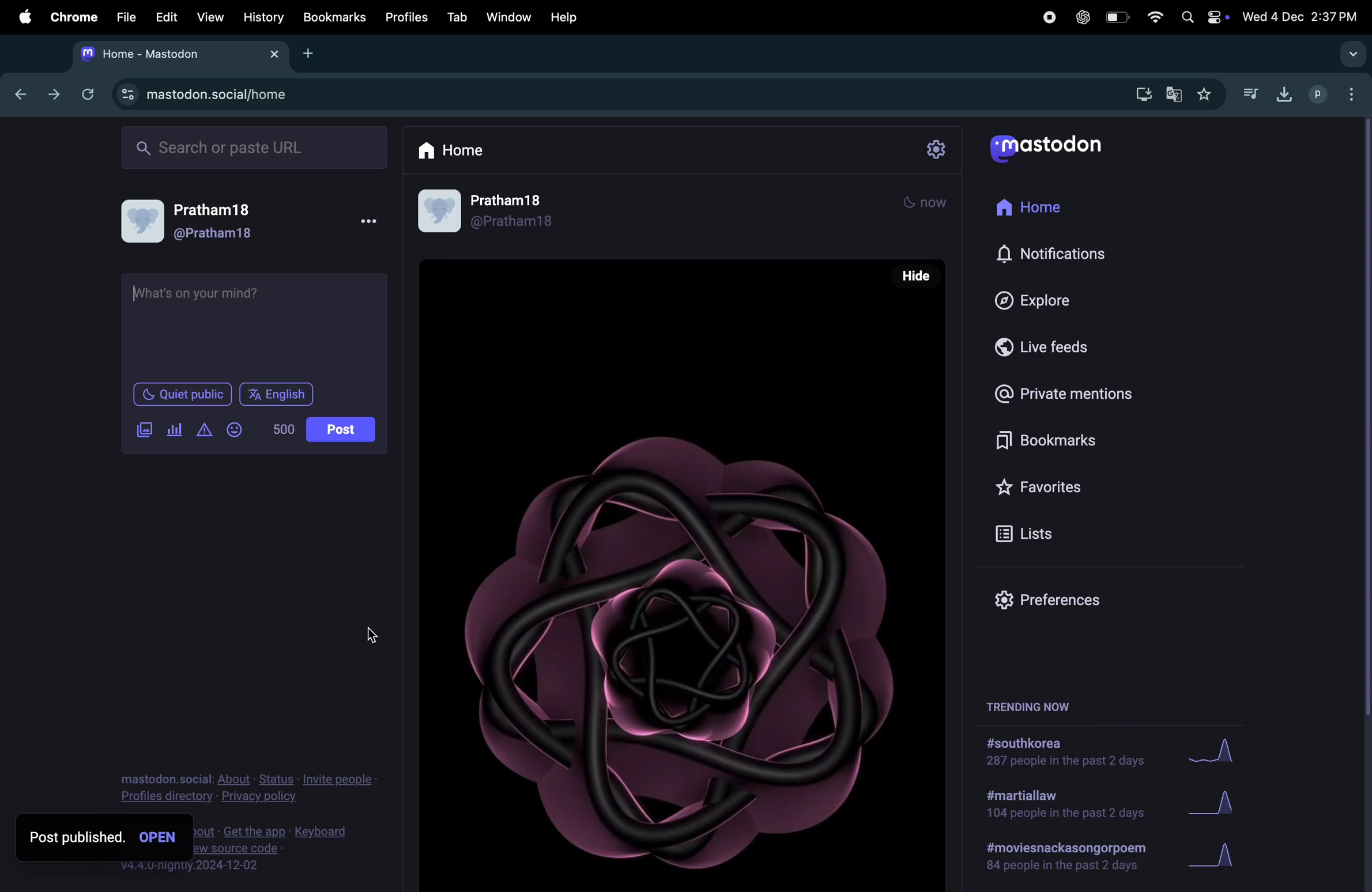  Describe the element at coordinates (342, 430) in the screenshot. I see `post` at that location.